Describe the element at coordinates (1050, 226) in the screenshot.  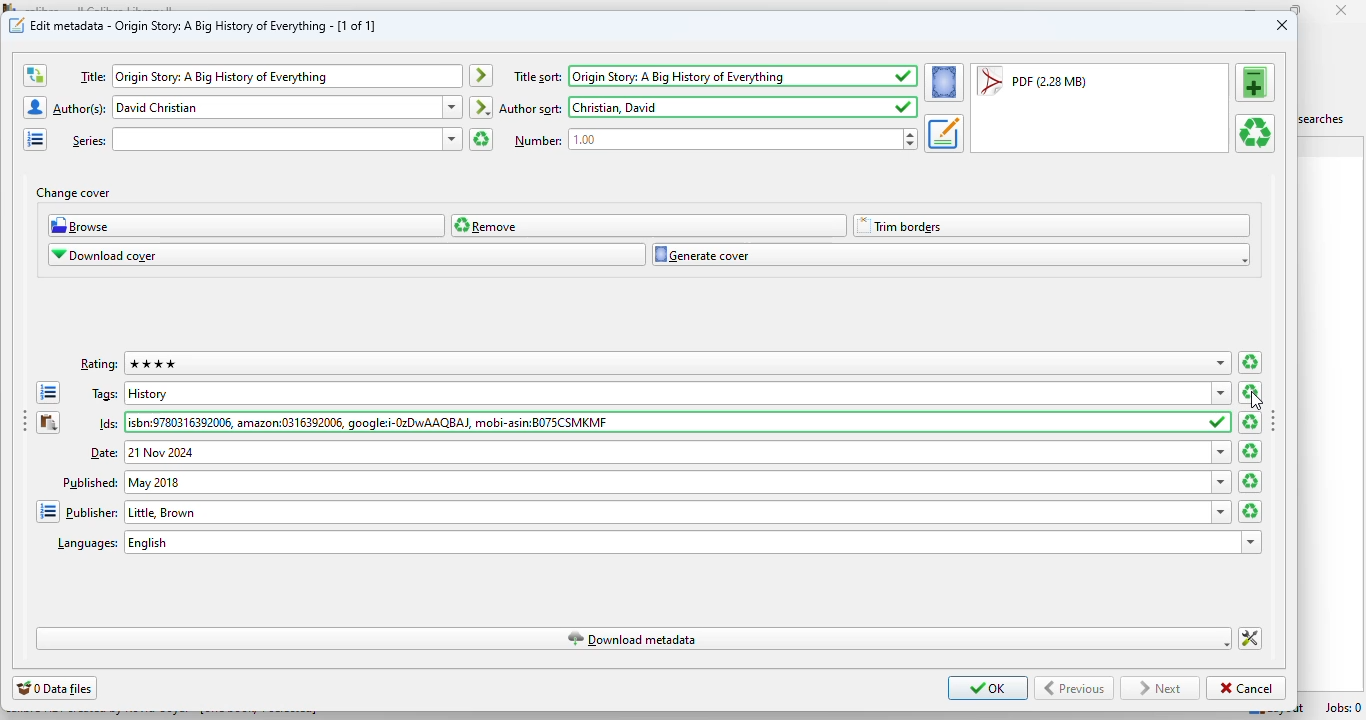
I see `trim borders` at that location.